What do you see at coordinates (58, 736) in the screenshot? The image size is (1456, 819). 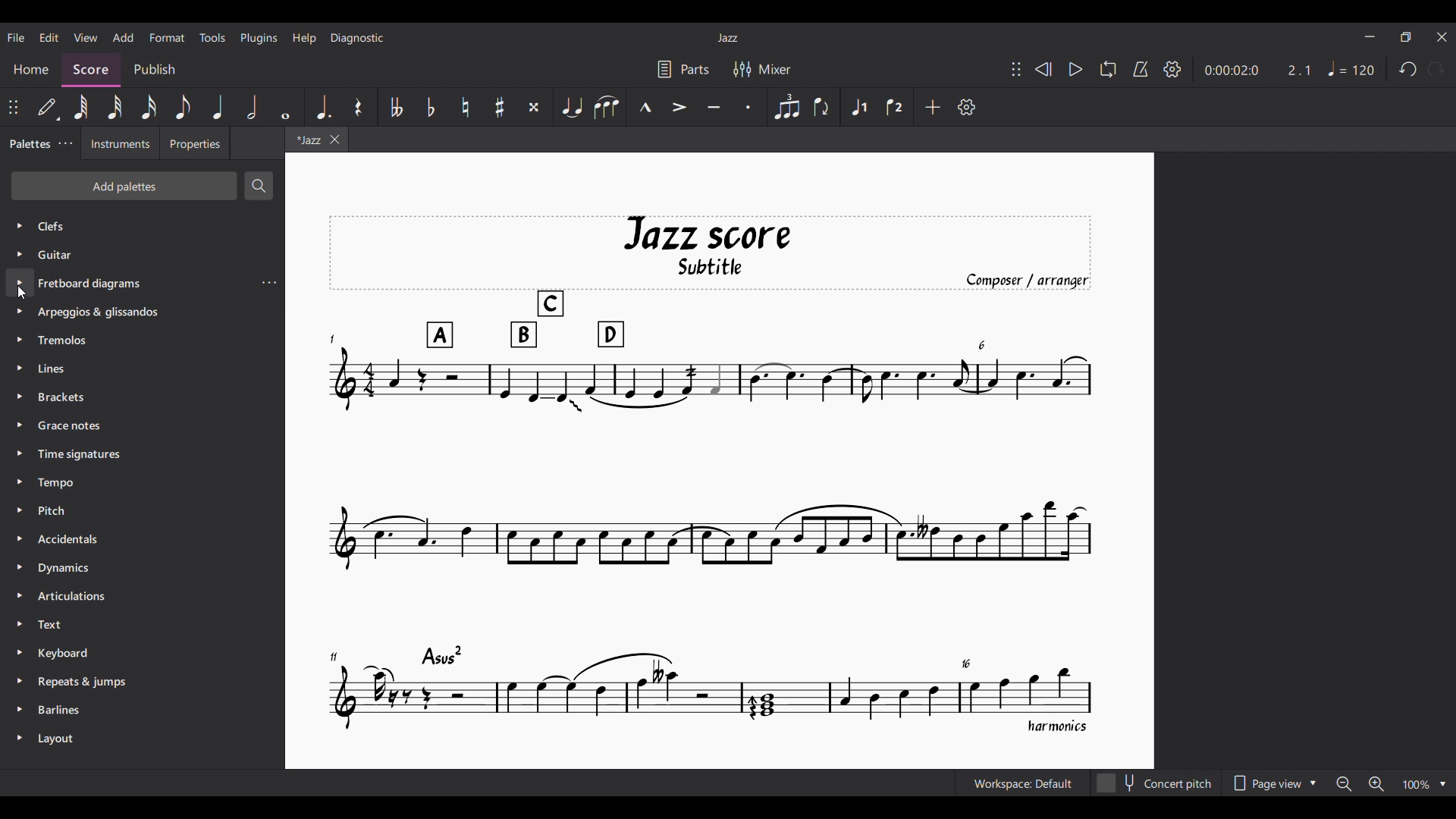 I see `Layouts` at bounding box center [58, 736].